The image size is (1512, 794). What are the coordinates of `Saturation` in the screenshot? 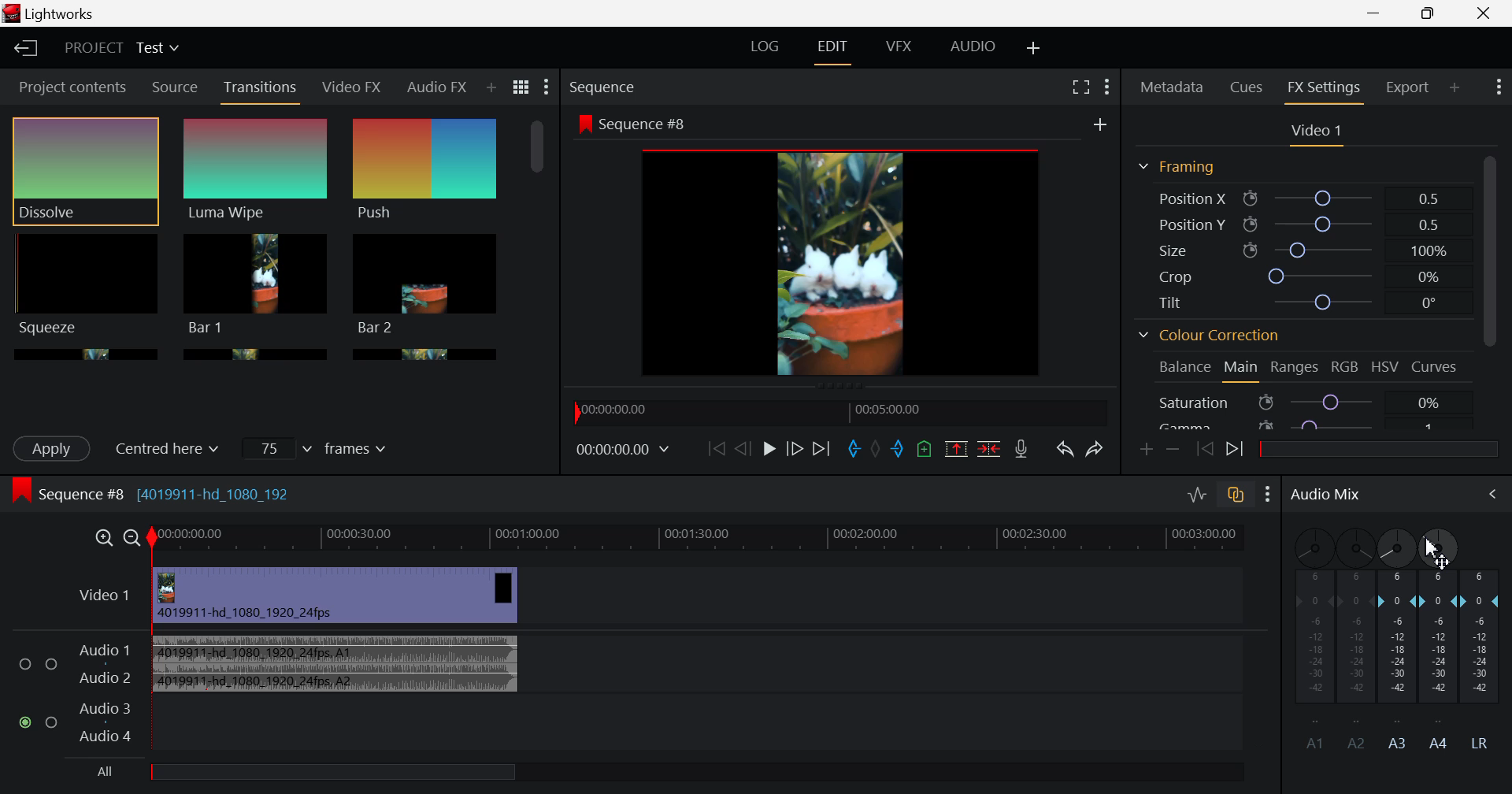 It's located at (1303, 402).